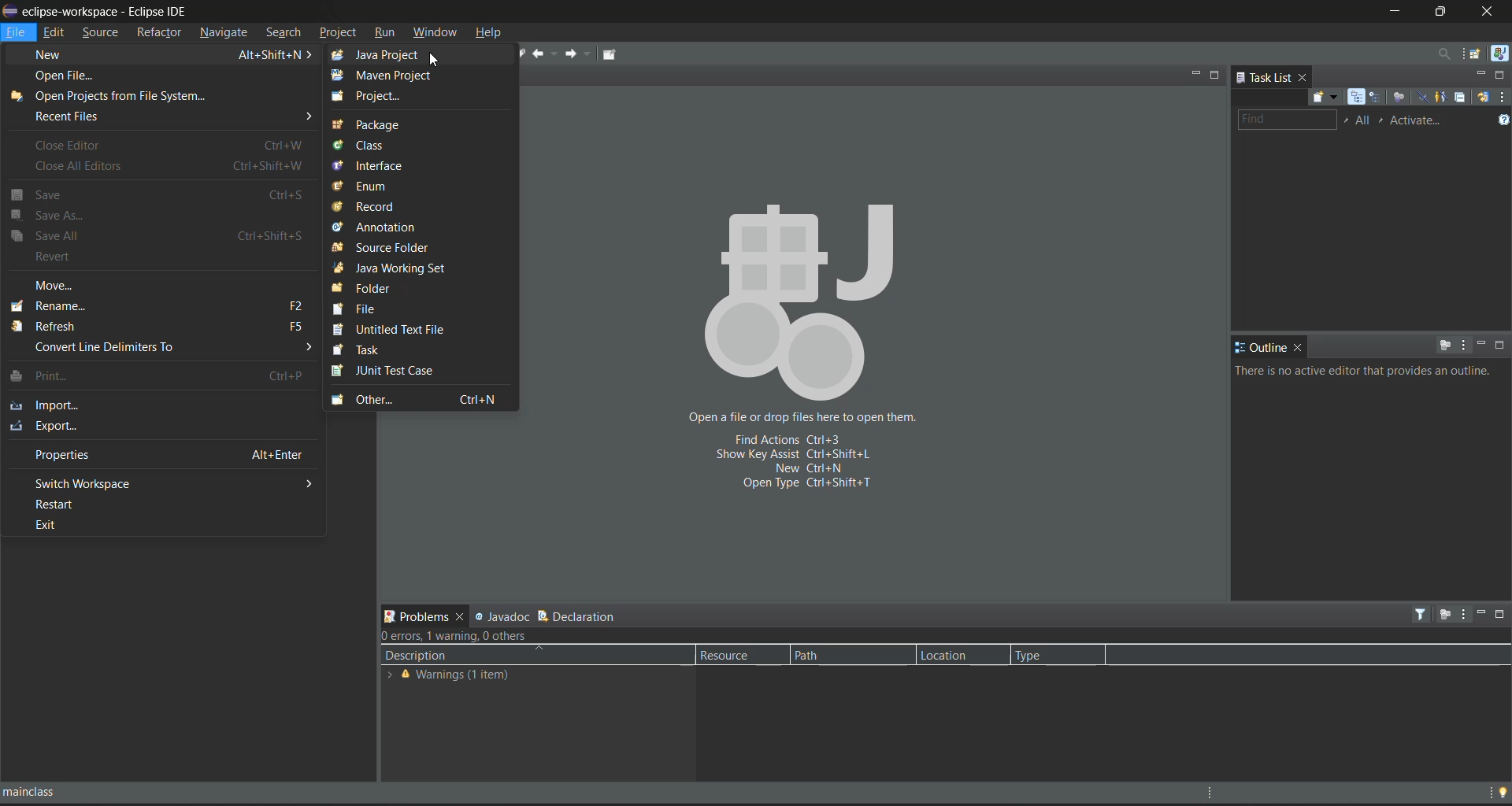  What do you see at coordinates (1503, 98) in the screenshot?
I see `view menu` at bounding box center [1503, 98].